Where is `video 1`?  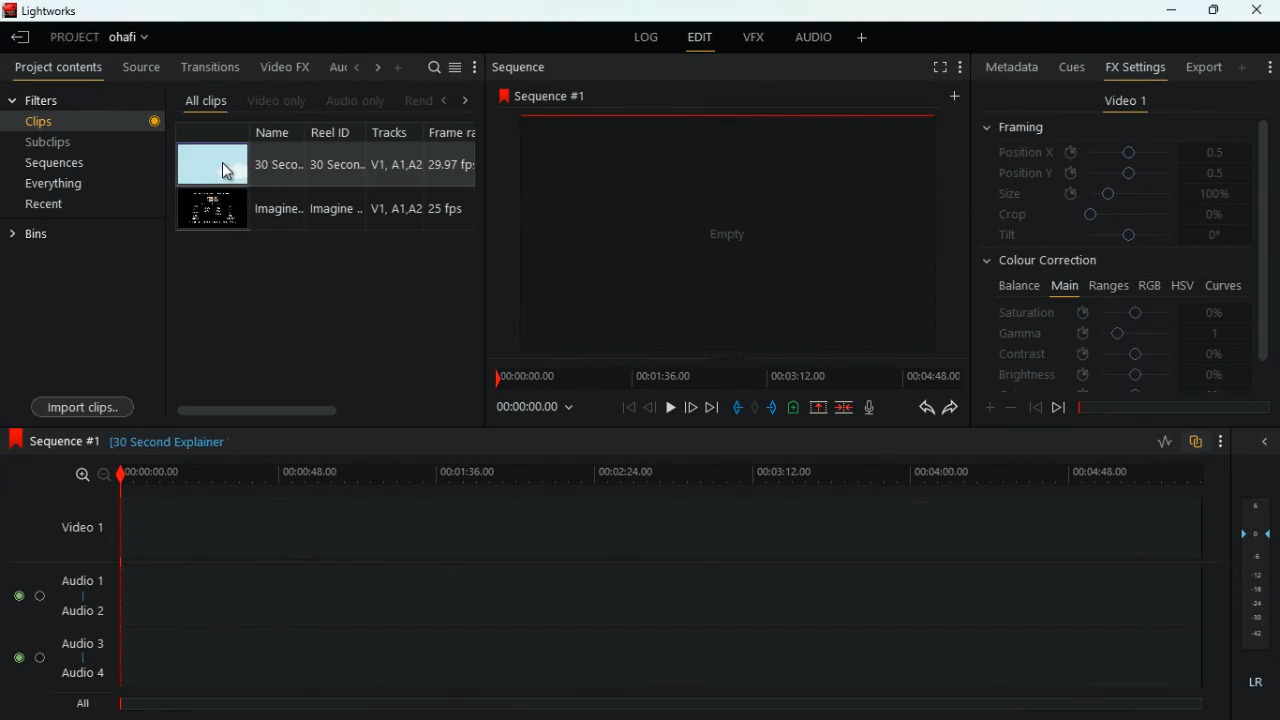 video 1 is located at coordinates (1126, 101).